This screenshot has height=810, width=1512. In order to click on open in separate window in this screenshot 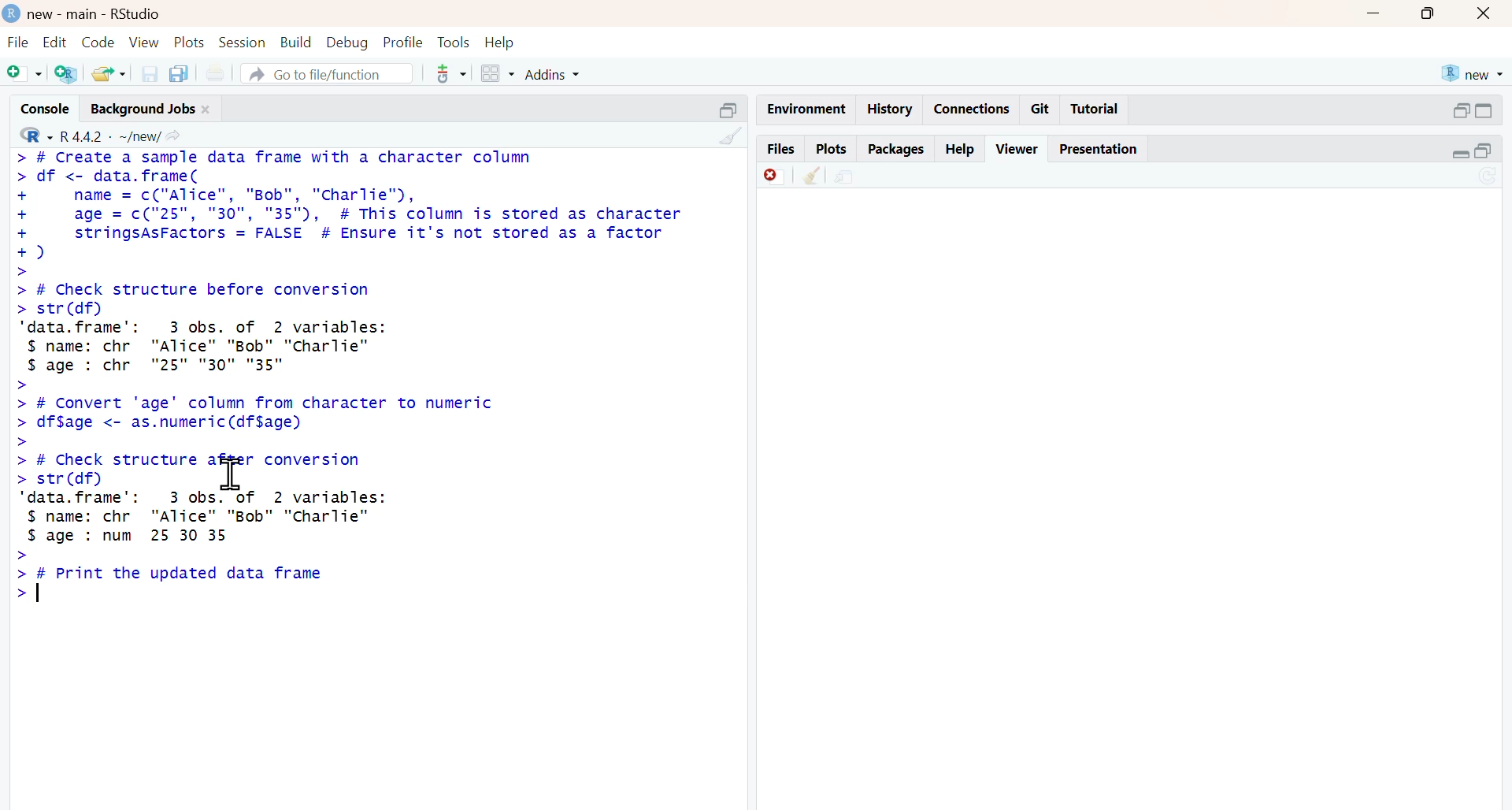, I will do `click(1483, 151)`.